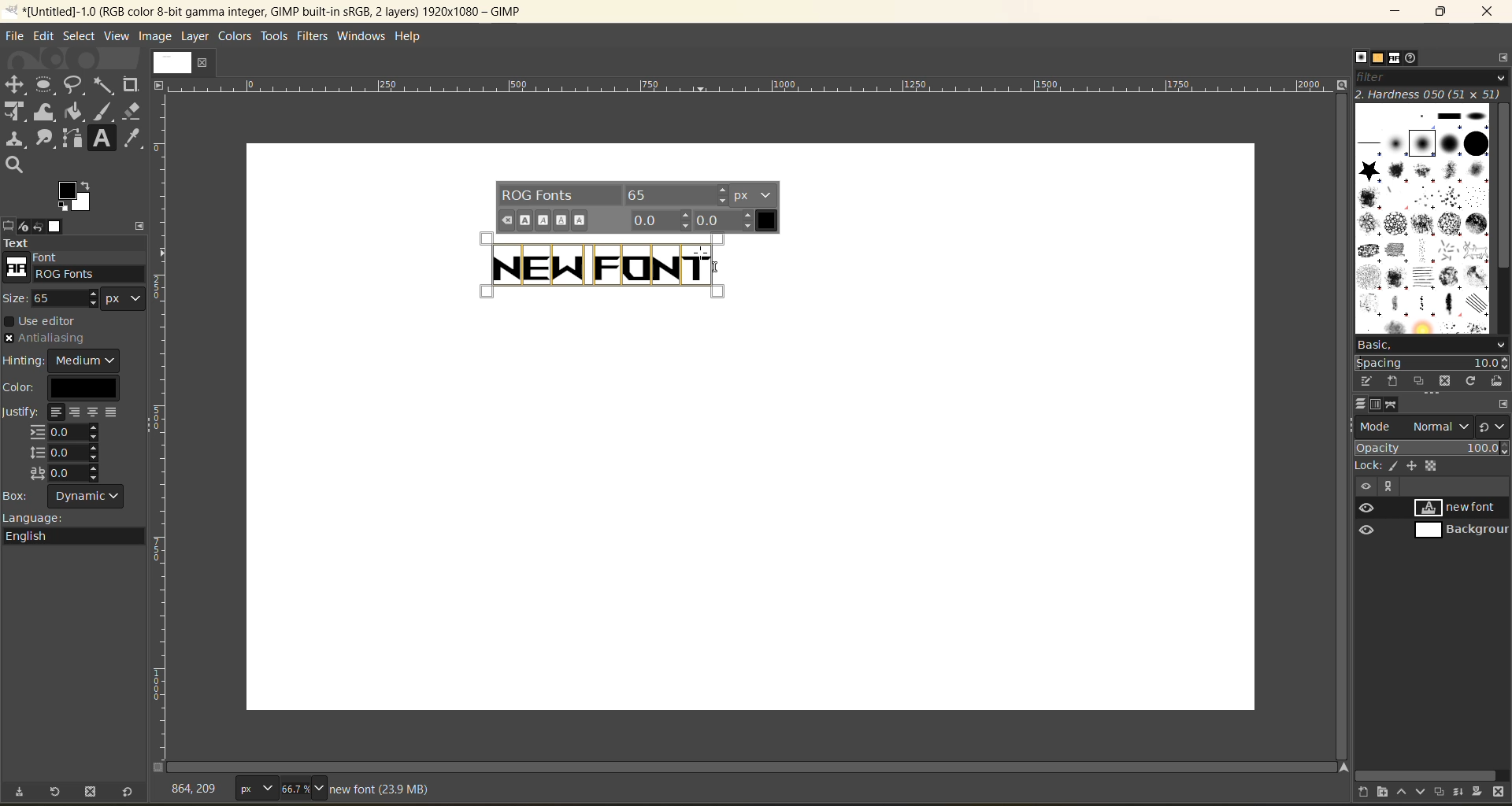  What do you see at coordinates (1382, 790) in the screenshot?
I see `create a new layer group` at bounding box center [1382, 790].